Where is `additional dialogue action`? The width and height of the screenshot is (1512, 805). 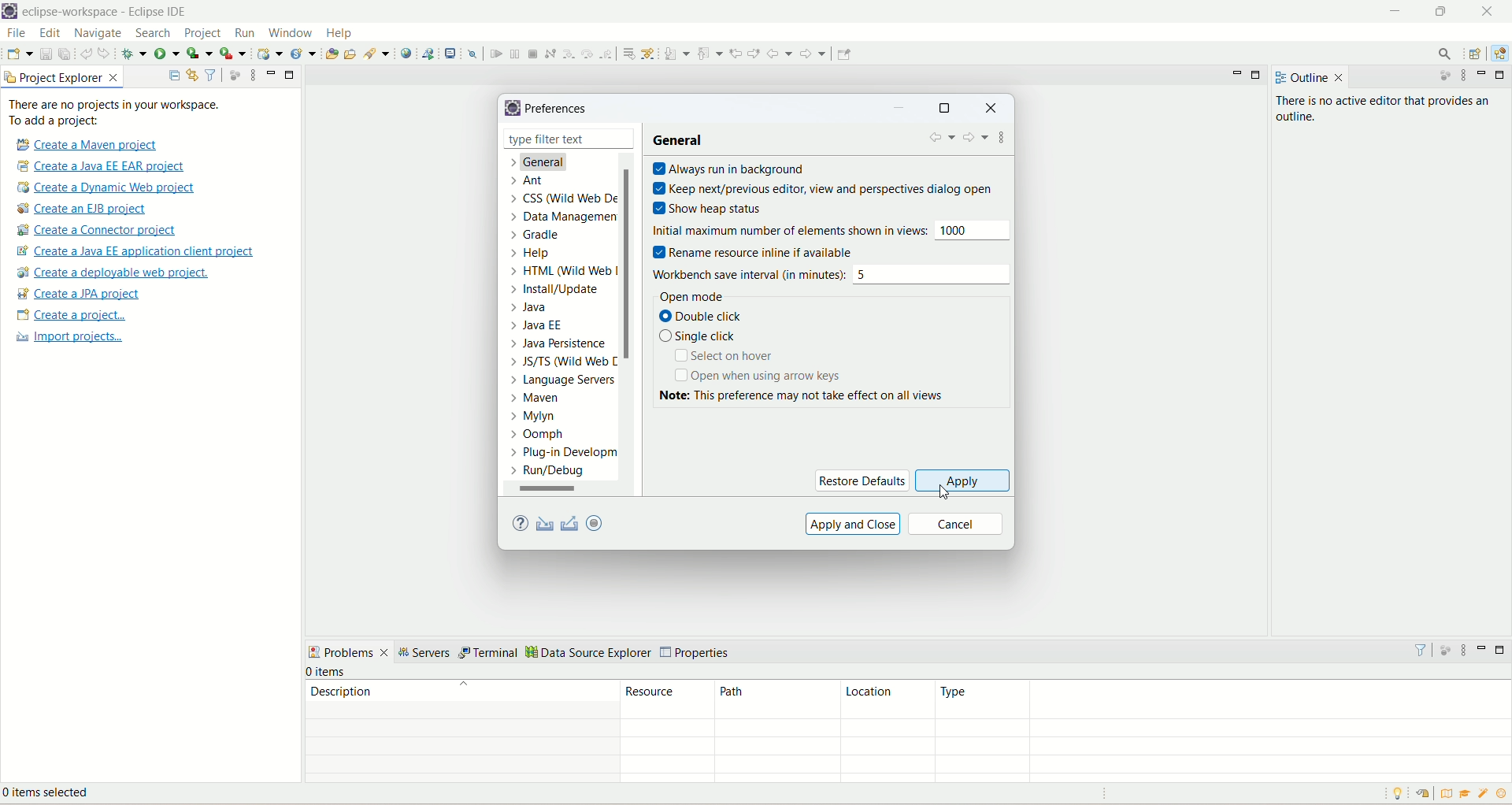 additional dialogue action is located at coordinates (1003, 140).